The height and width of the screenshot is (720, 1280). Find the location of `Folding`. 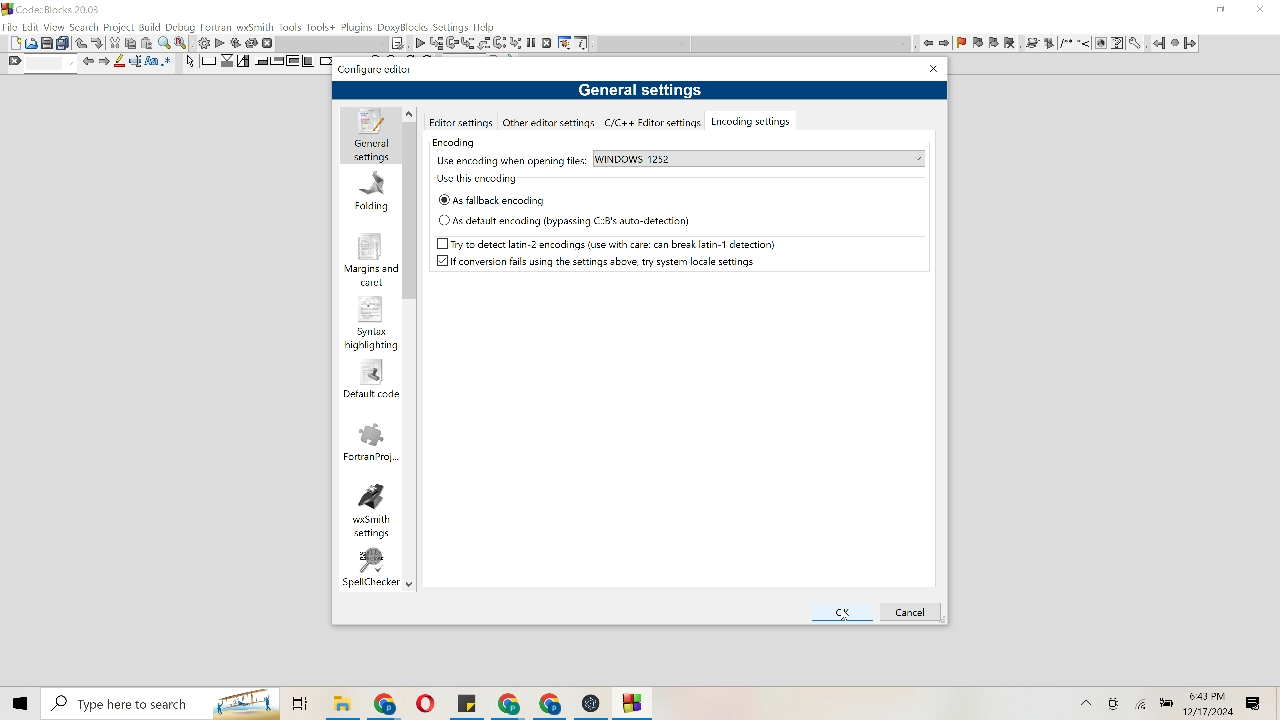

Folding is located at coordinates (371, 192).